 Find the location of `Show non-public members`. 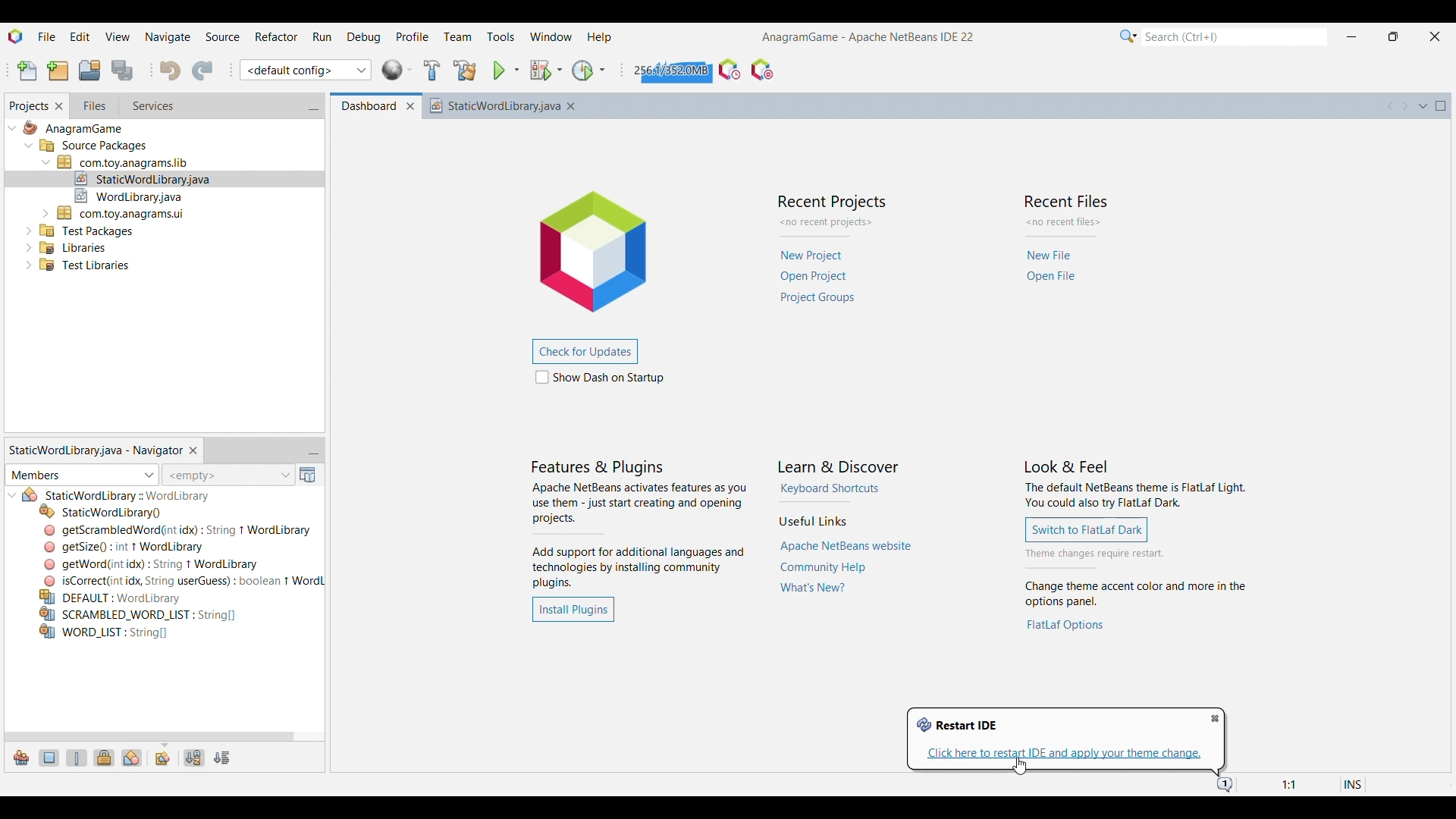

Show non-public members is located at coordinates (104, 758).